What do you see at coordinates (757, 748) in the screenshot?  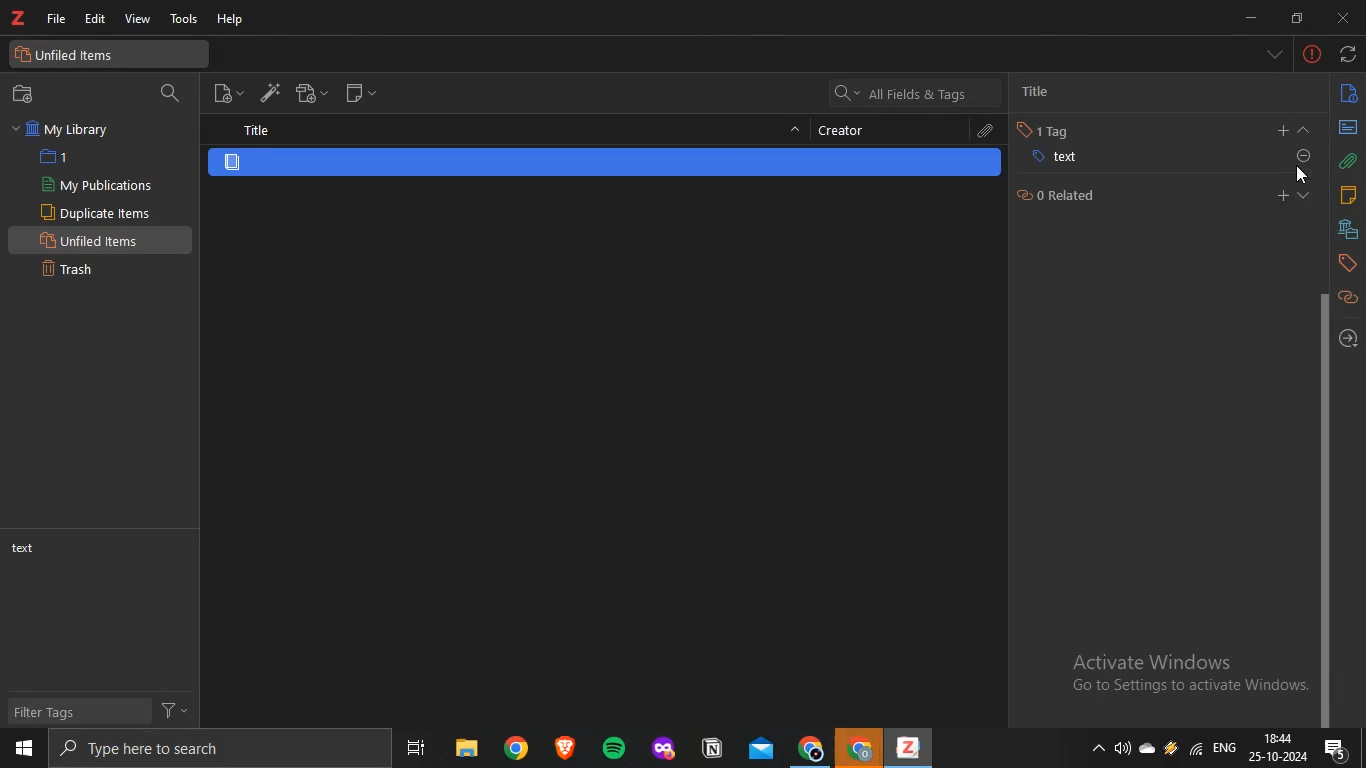 I see `mail` at bounding box center [757, 748].